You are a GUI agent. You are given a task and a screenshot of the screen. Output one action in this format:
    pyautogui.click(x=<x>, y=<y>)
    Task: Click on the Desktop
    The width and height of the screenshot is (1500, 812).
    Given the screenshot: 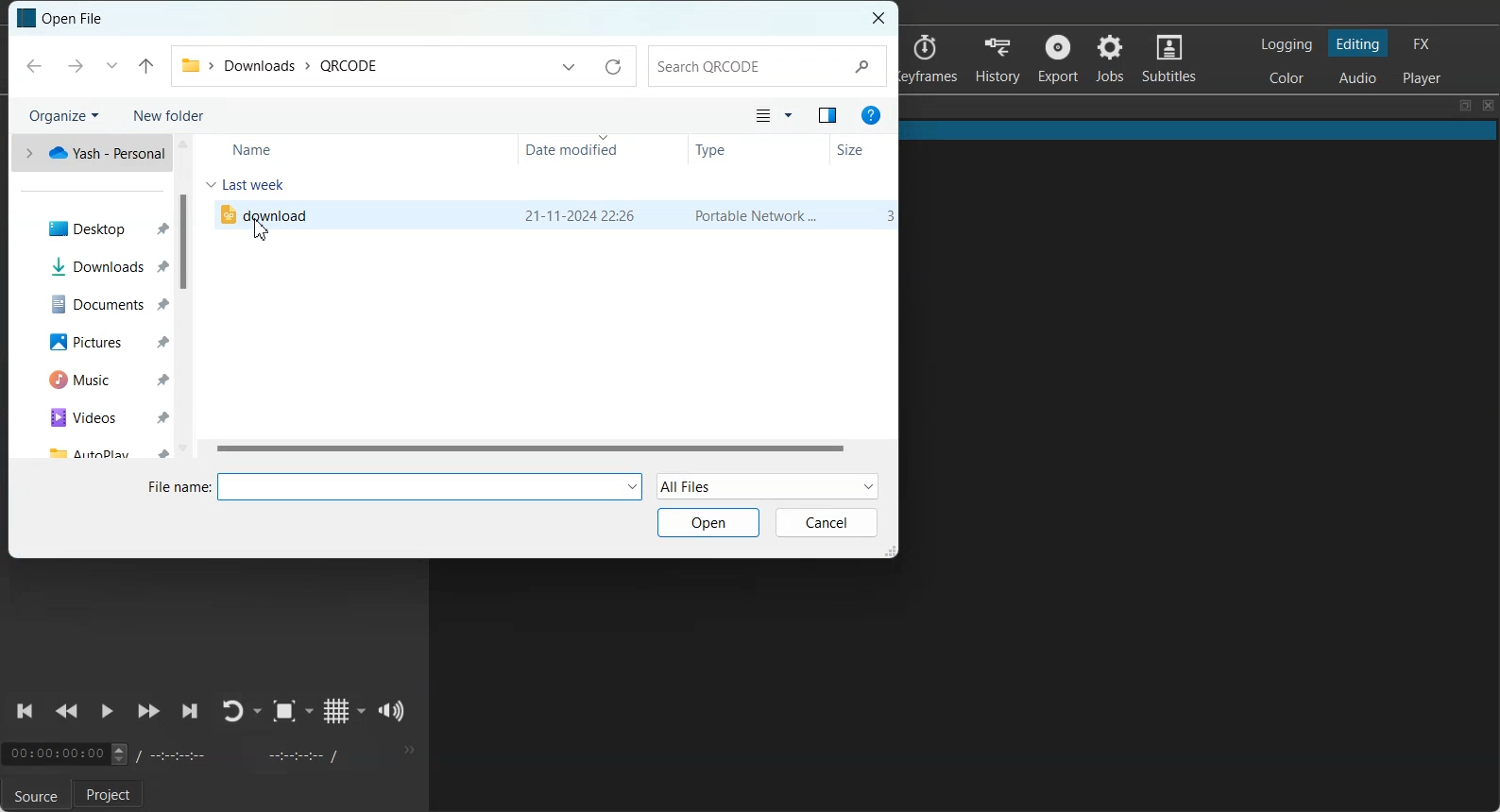 What is the action you would take?
    pyautogui.click(x=100, y=226)
    